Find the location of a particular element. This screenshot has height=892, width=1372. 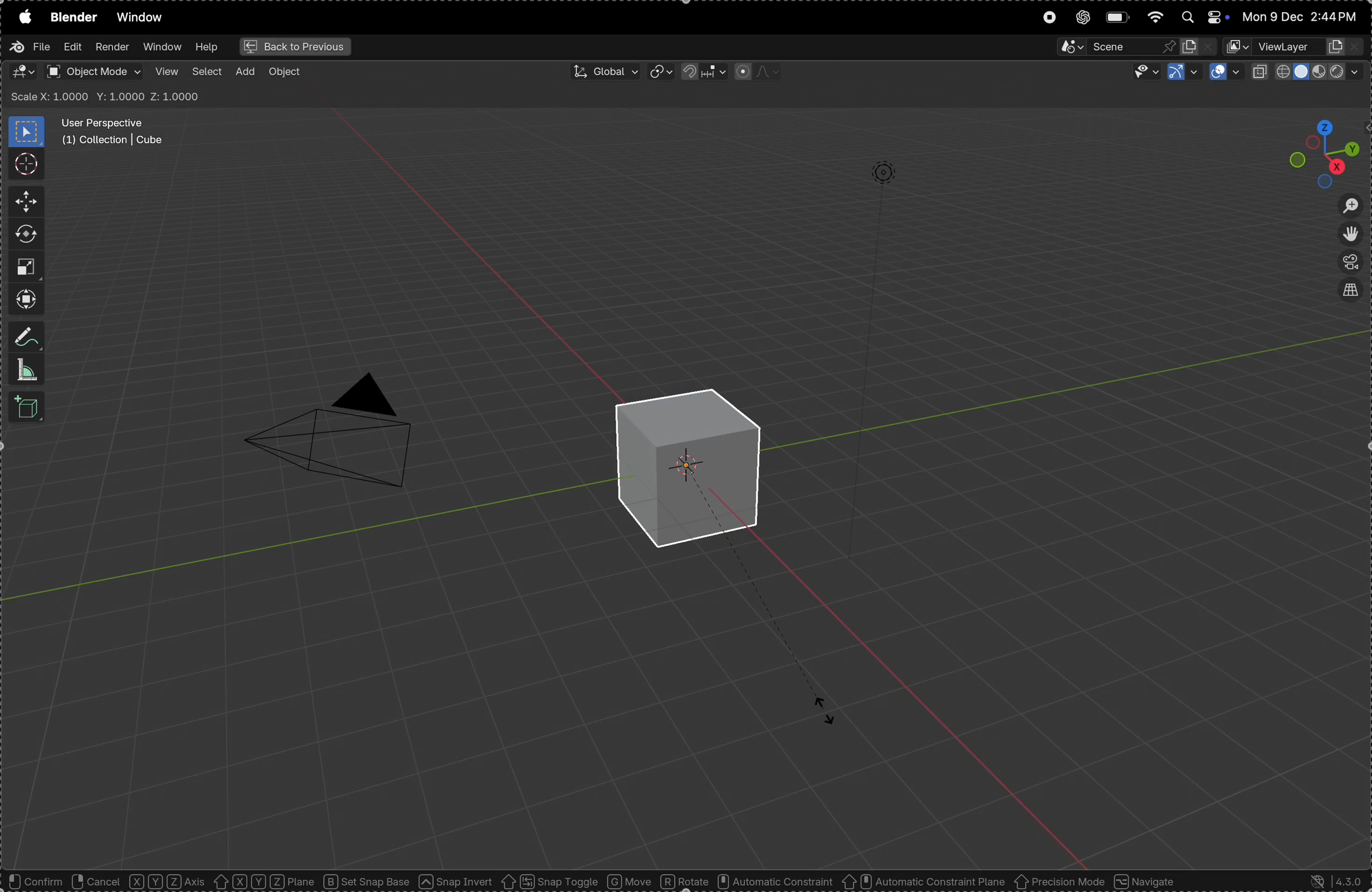

show gimzo is located at coordinates (1182, 71).